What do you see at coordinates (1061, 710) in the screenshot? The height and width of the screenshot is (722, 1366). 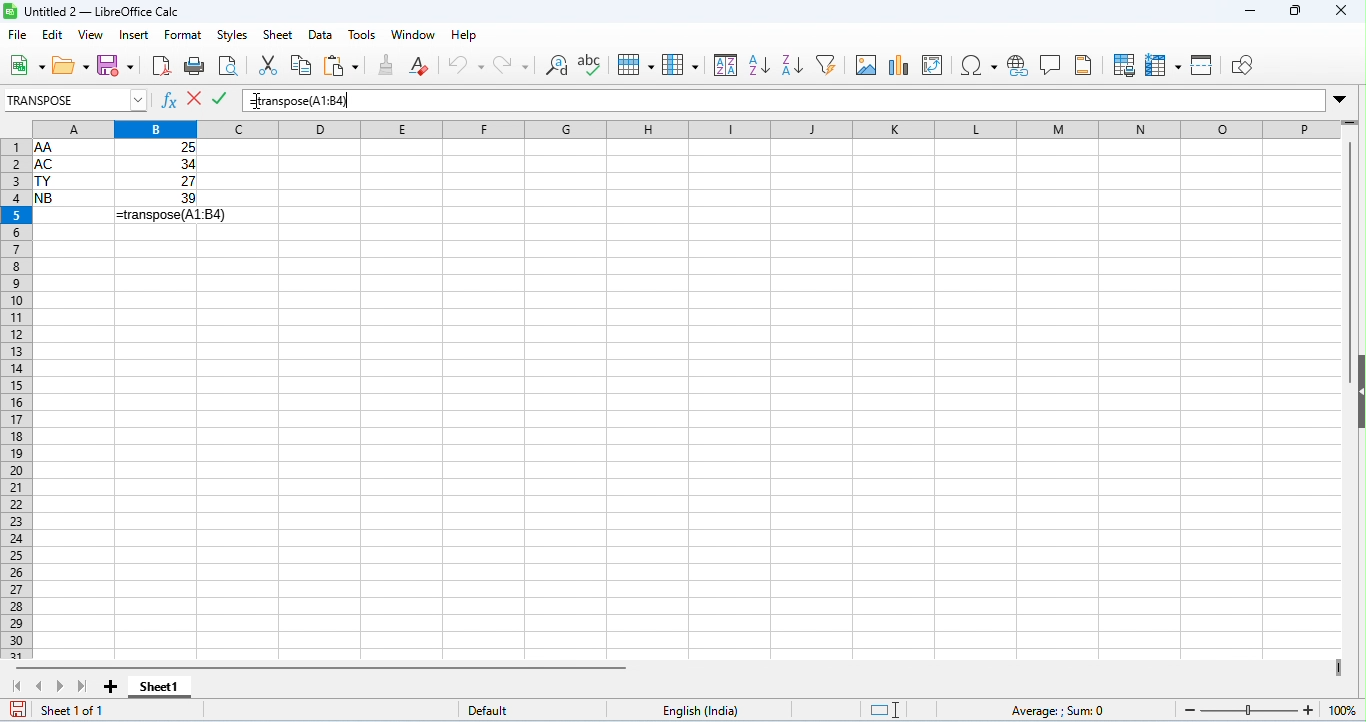 I see `formula` at bounding box center [1061, 710].